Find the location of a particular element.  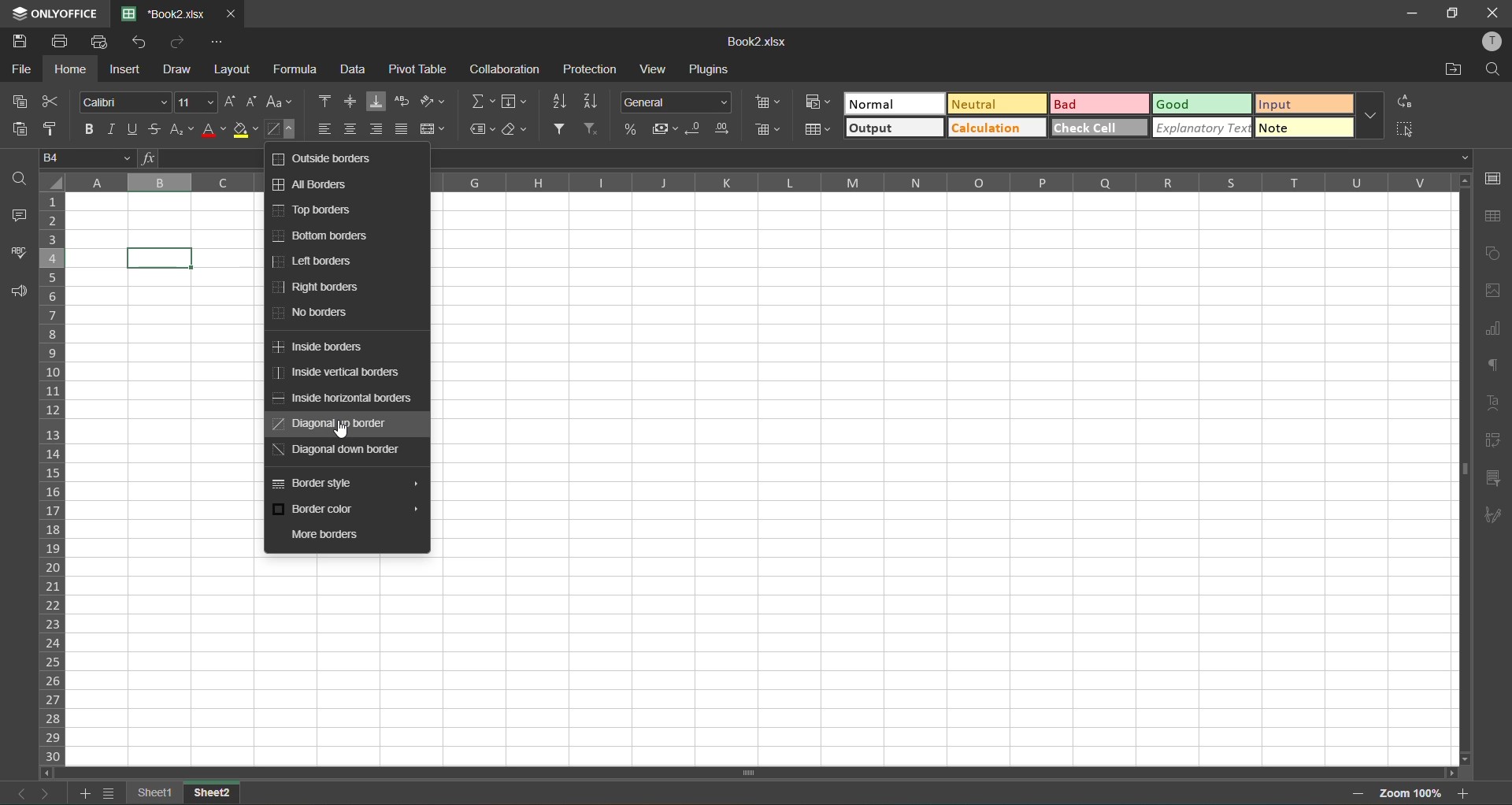

select all is located at coordinates (1405, 128).